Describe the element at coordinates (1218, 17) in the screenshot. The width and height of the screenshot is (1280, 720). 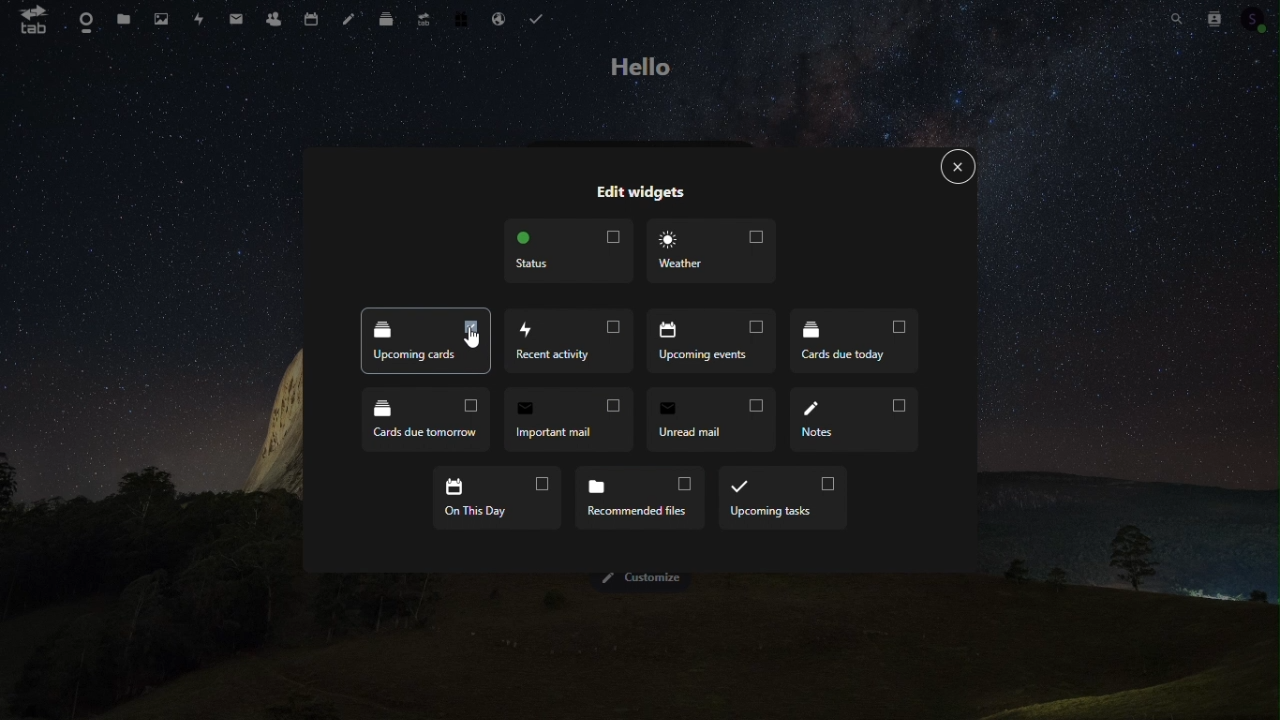
I see `Contacts` at that location.